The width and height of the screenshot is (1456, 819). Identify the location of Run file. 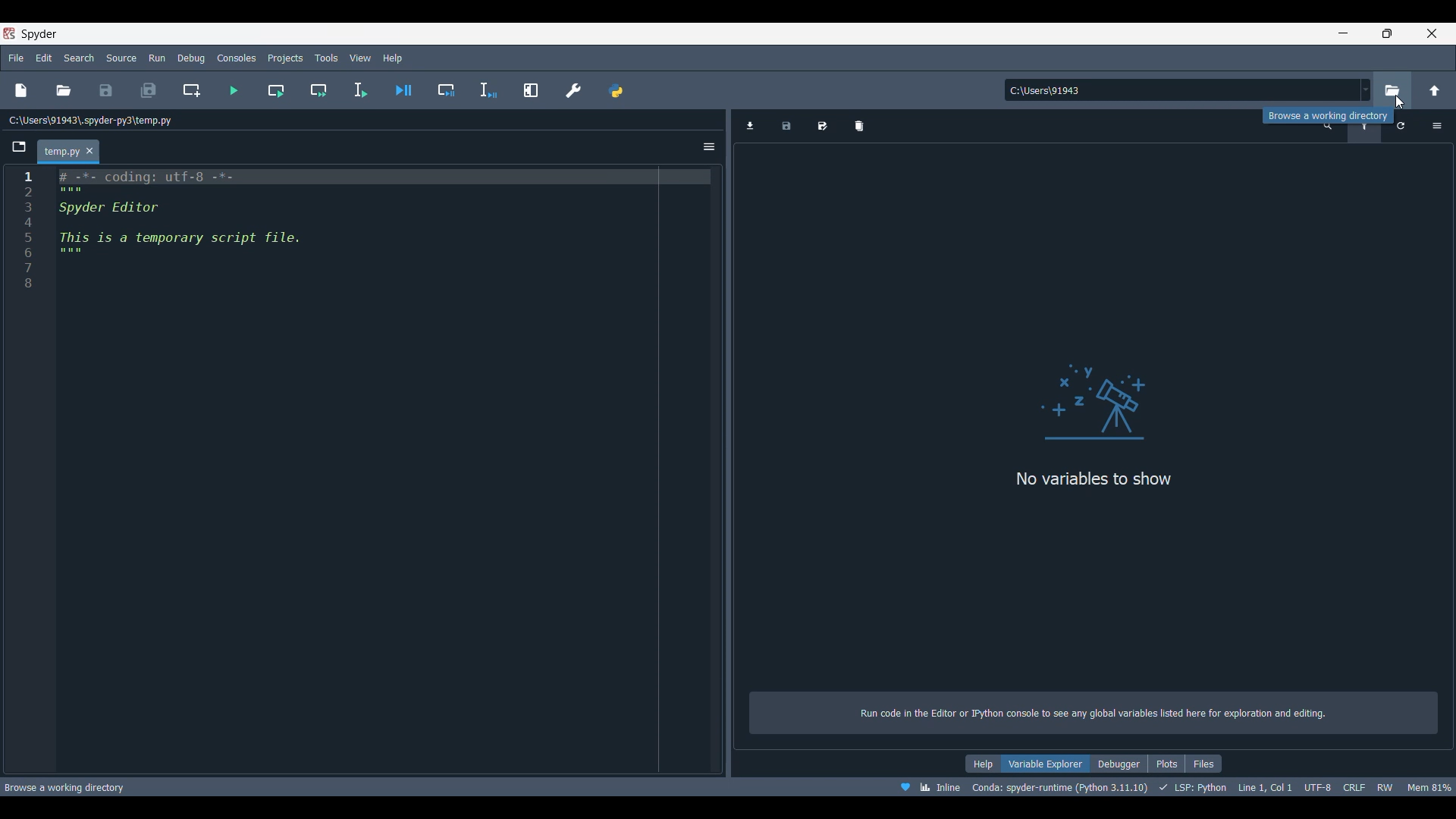
(234, 90).